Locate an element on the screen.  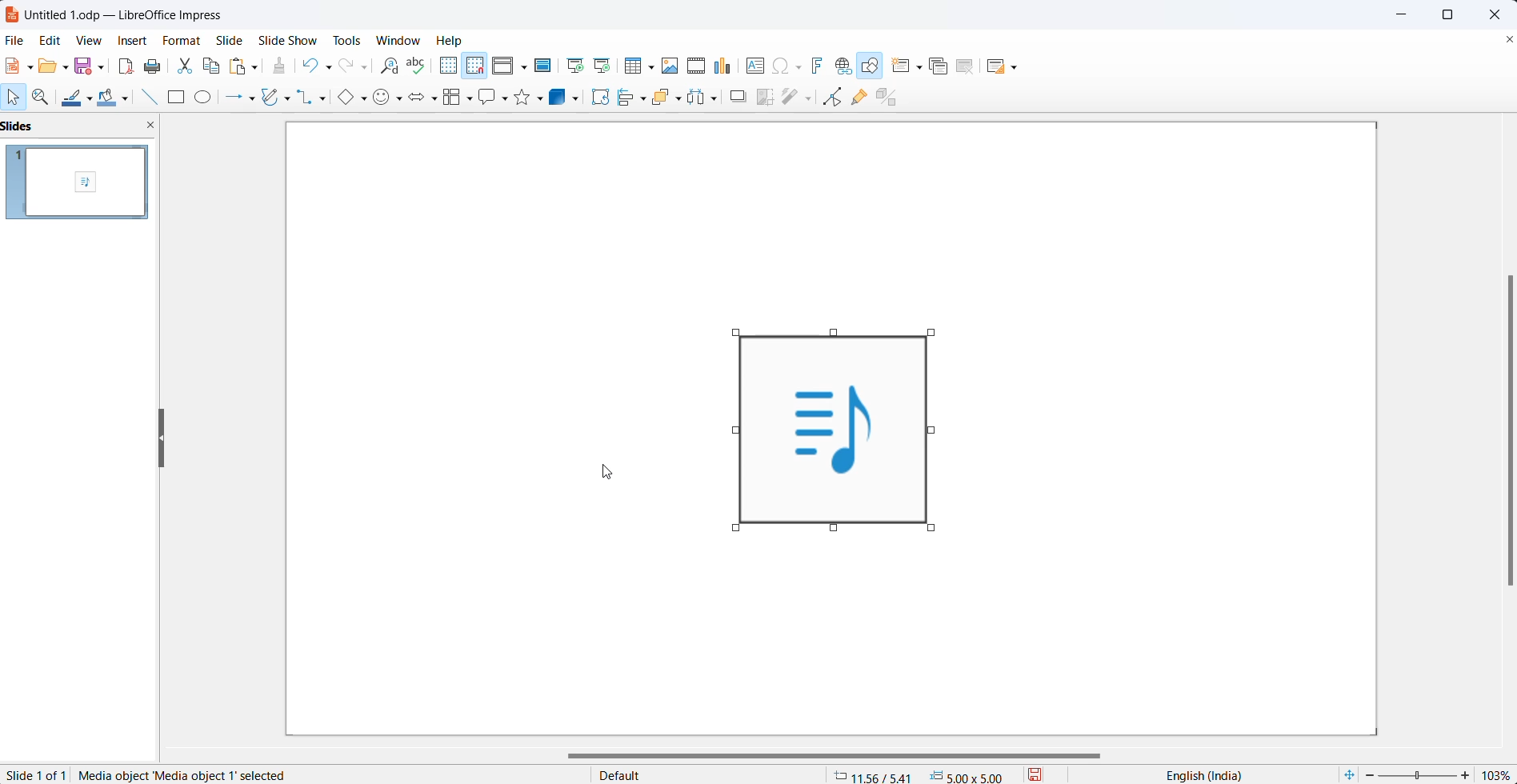
insert is located at coordinates (134, 39).